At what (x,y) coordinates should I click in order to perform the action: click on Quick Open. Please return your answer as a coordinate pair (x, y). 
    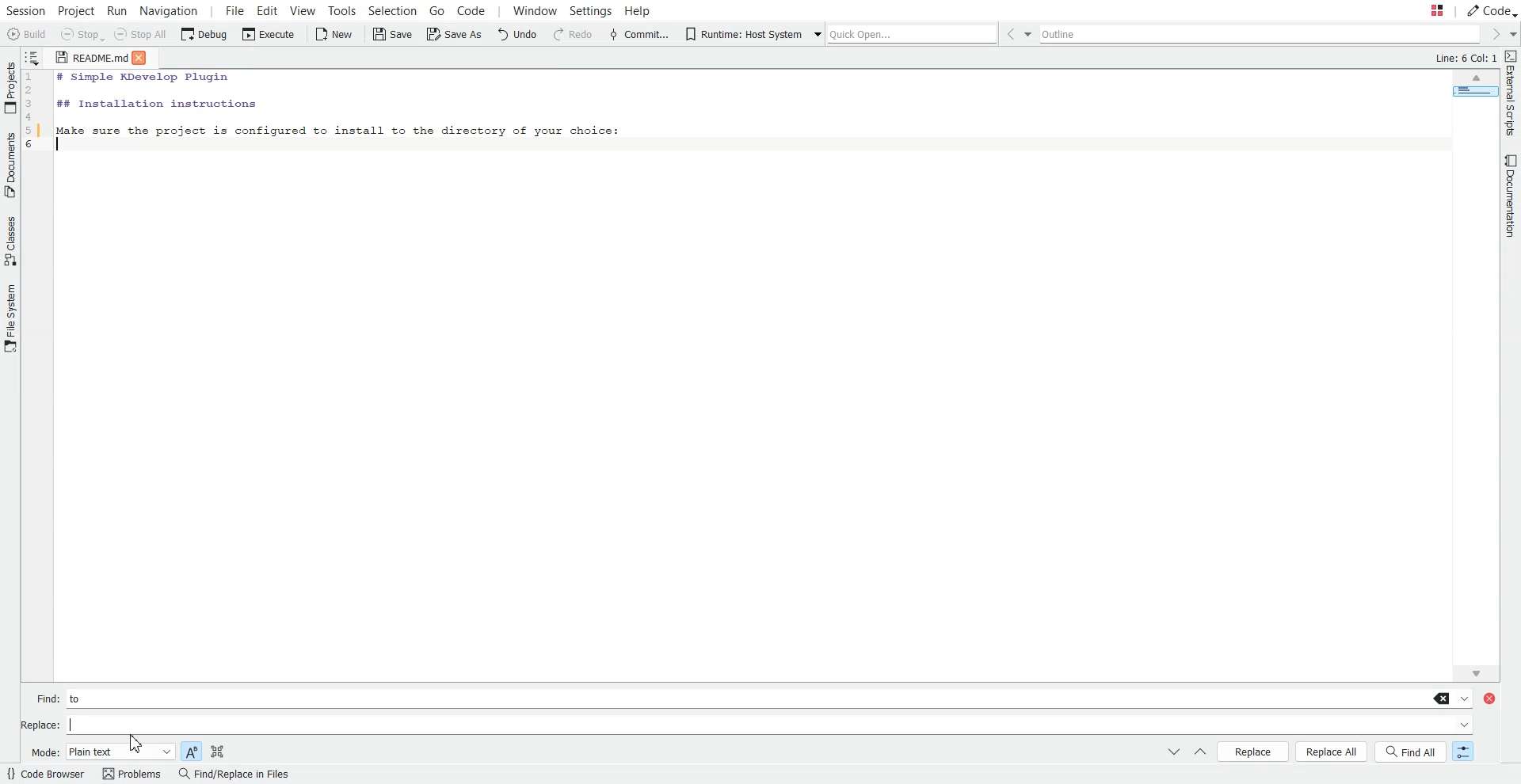
    Looking at the image, I should click on (902, 32).